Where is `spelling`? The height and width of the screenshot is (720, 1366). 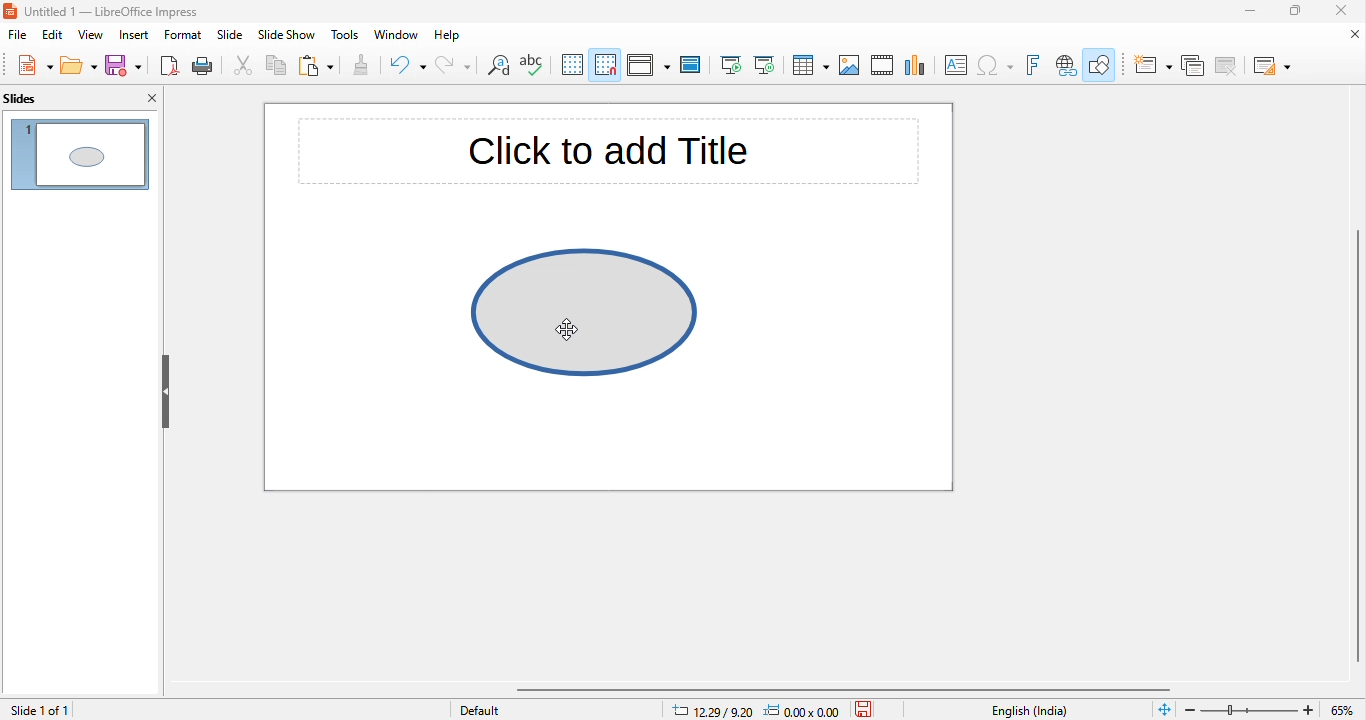
spelling is located at coordinates (538, 67).